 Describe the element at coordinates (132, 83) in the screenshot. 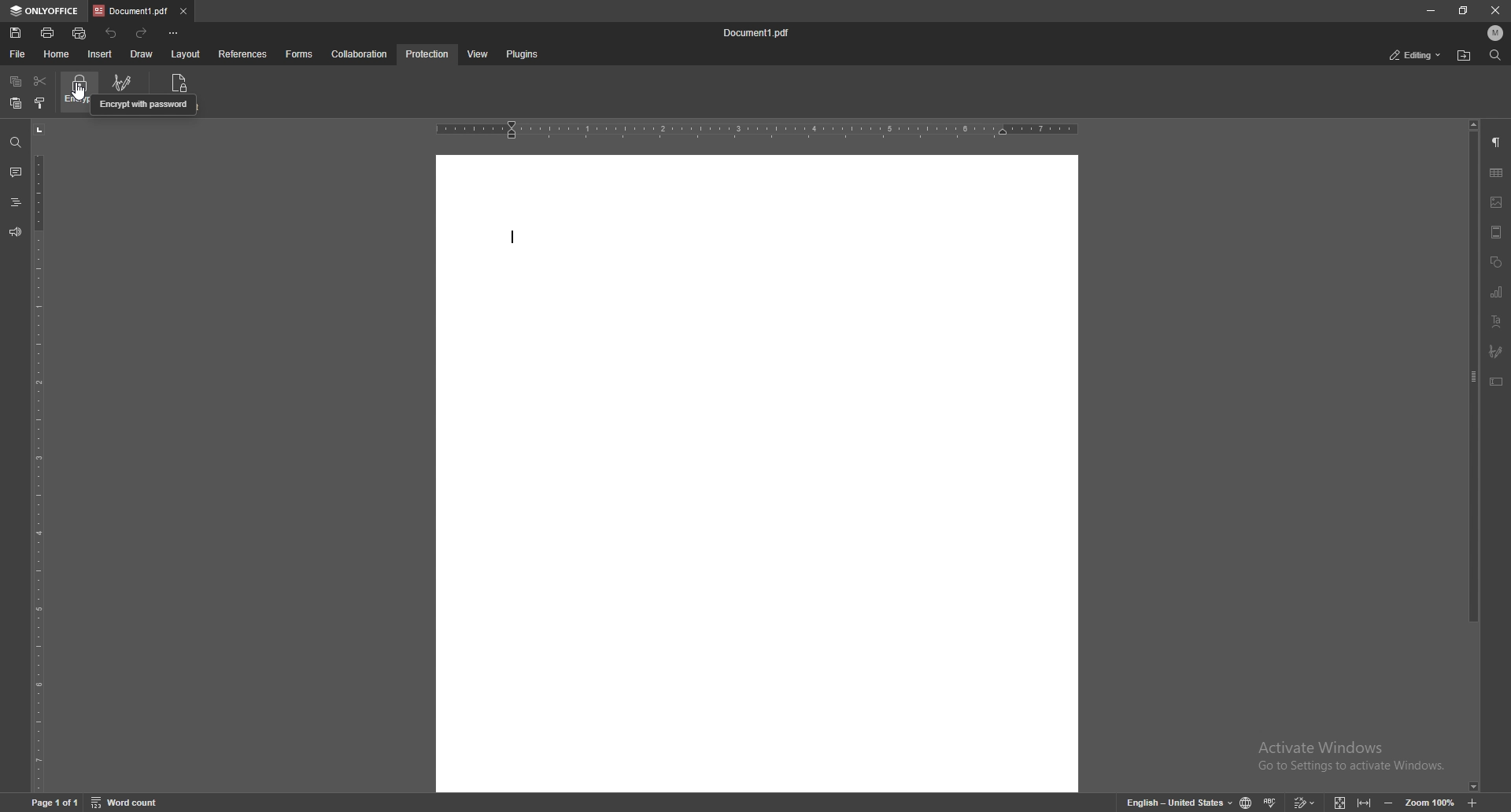

I see `signature` at that location.